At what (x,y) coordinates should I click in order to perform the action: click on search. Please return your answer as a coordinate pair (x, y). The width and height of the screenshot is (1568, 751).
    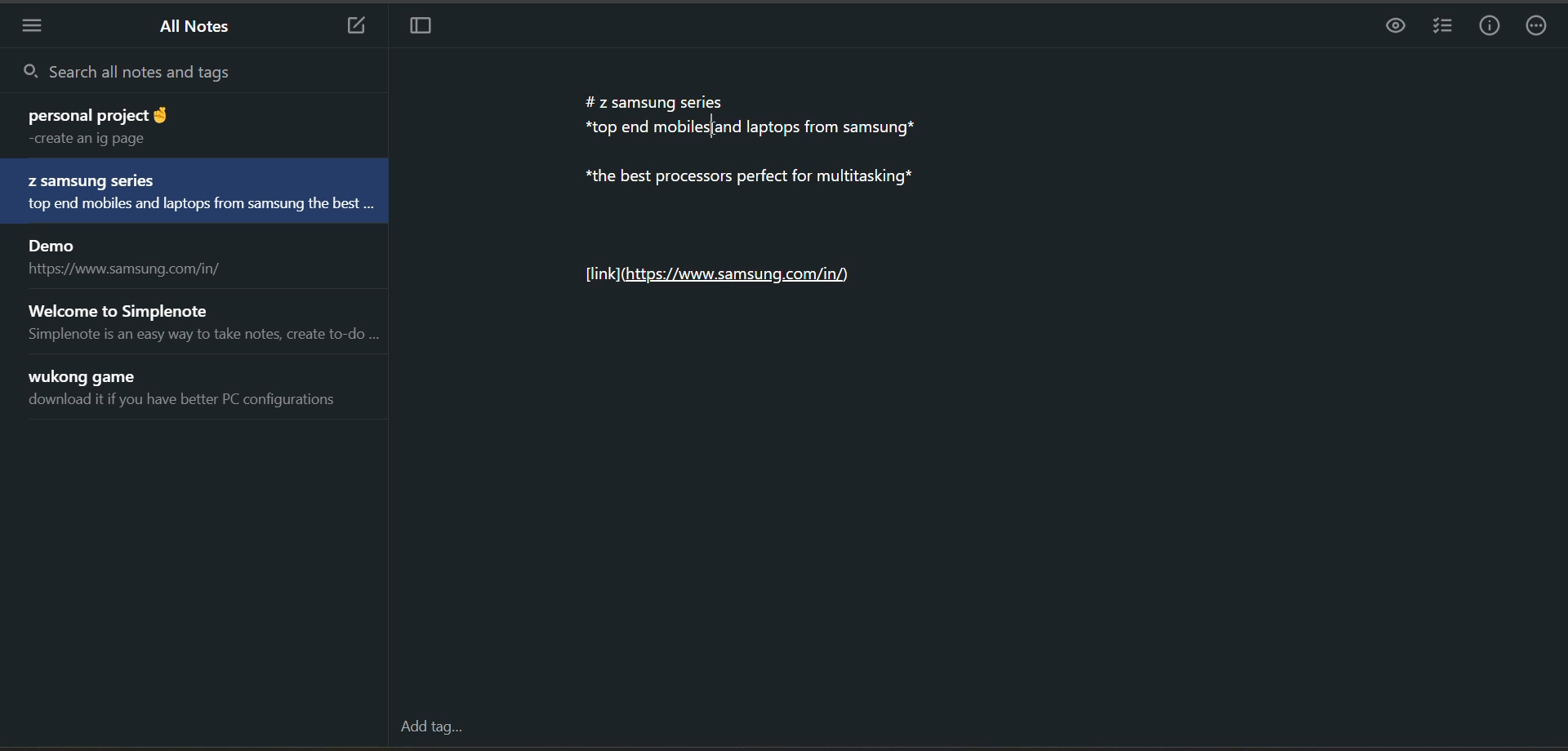
    Looking at the image, I should click on (192, 71).